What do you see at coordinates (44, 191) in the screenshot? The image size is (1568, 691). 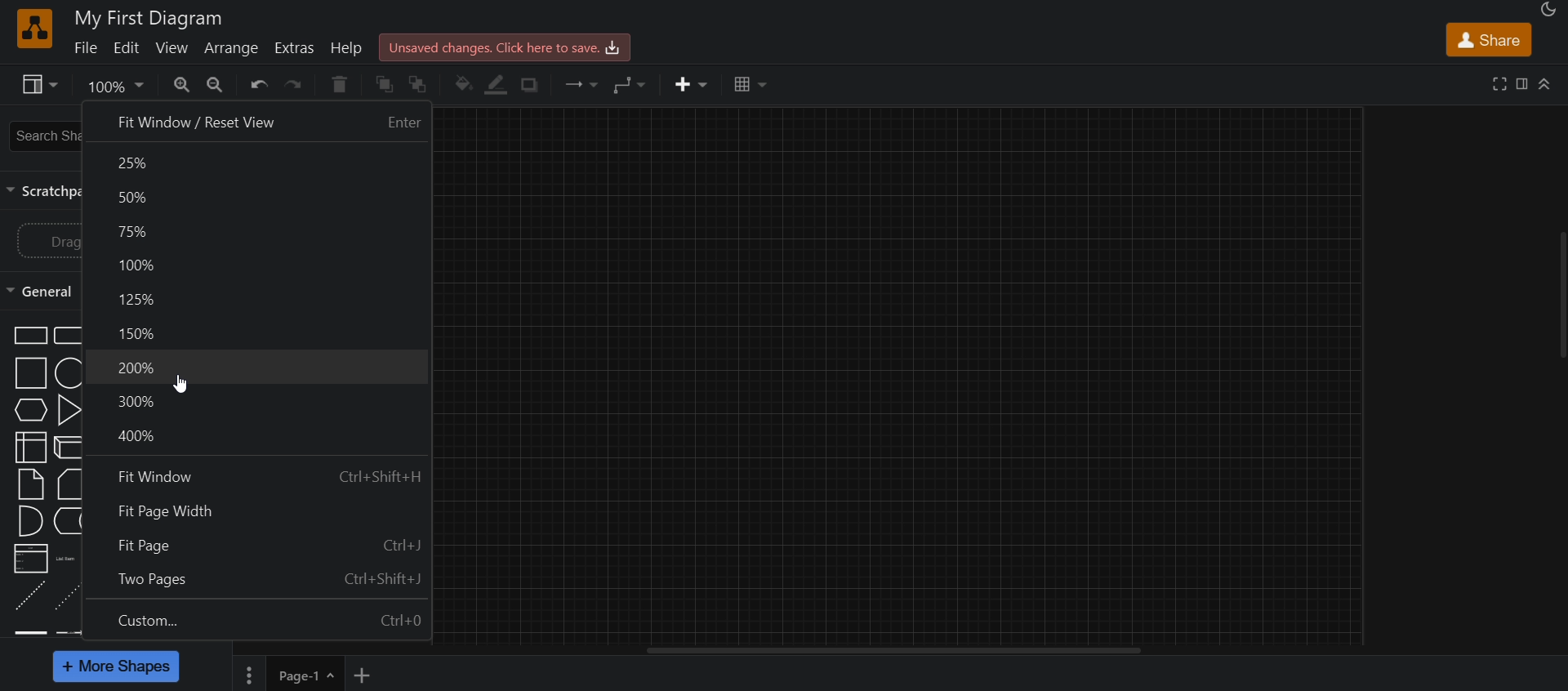 I see `scratch` at bounding box center [44, 191].